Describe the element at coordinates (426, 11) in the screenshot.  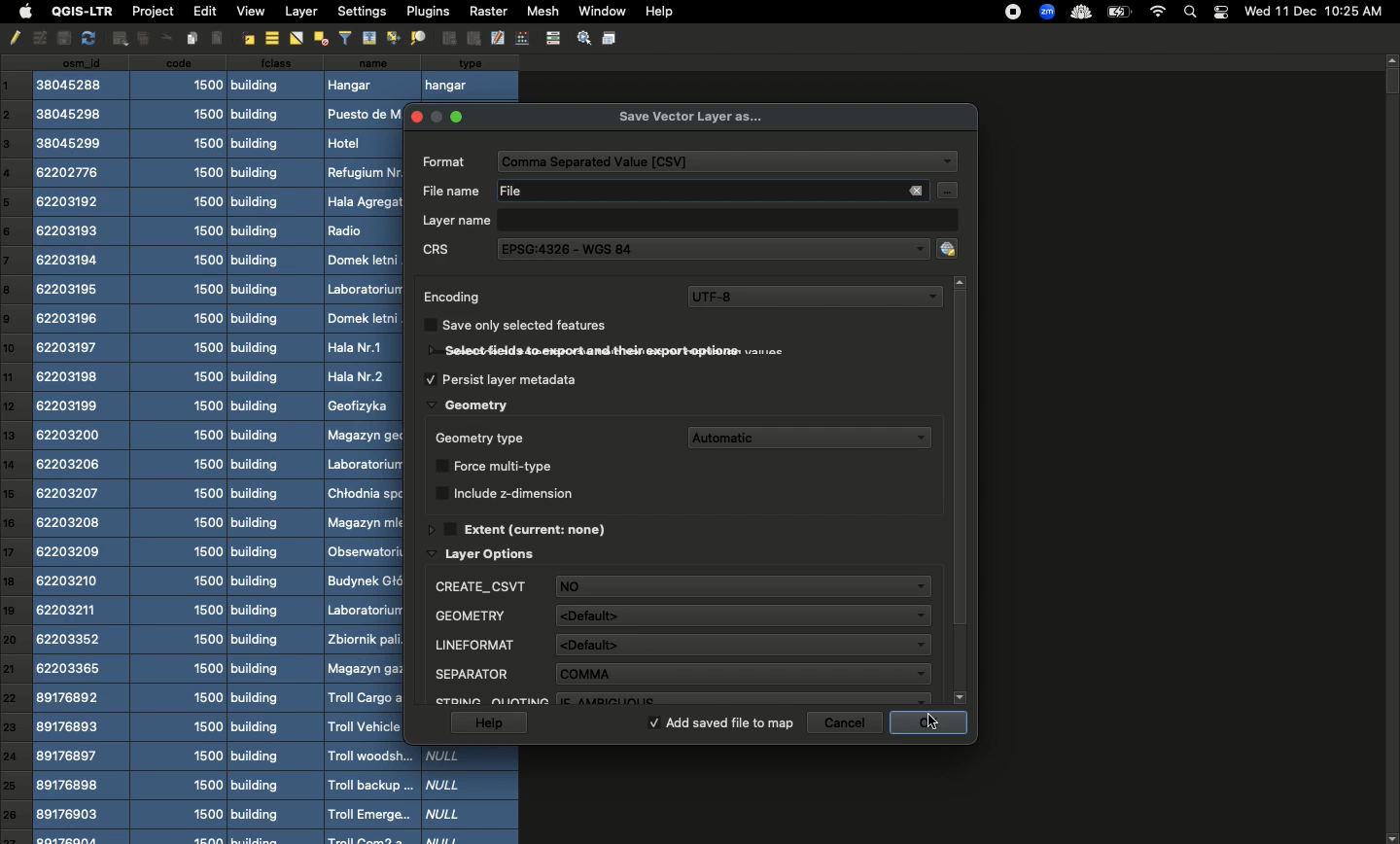
I see `Plugins` at that location.